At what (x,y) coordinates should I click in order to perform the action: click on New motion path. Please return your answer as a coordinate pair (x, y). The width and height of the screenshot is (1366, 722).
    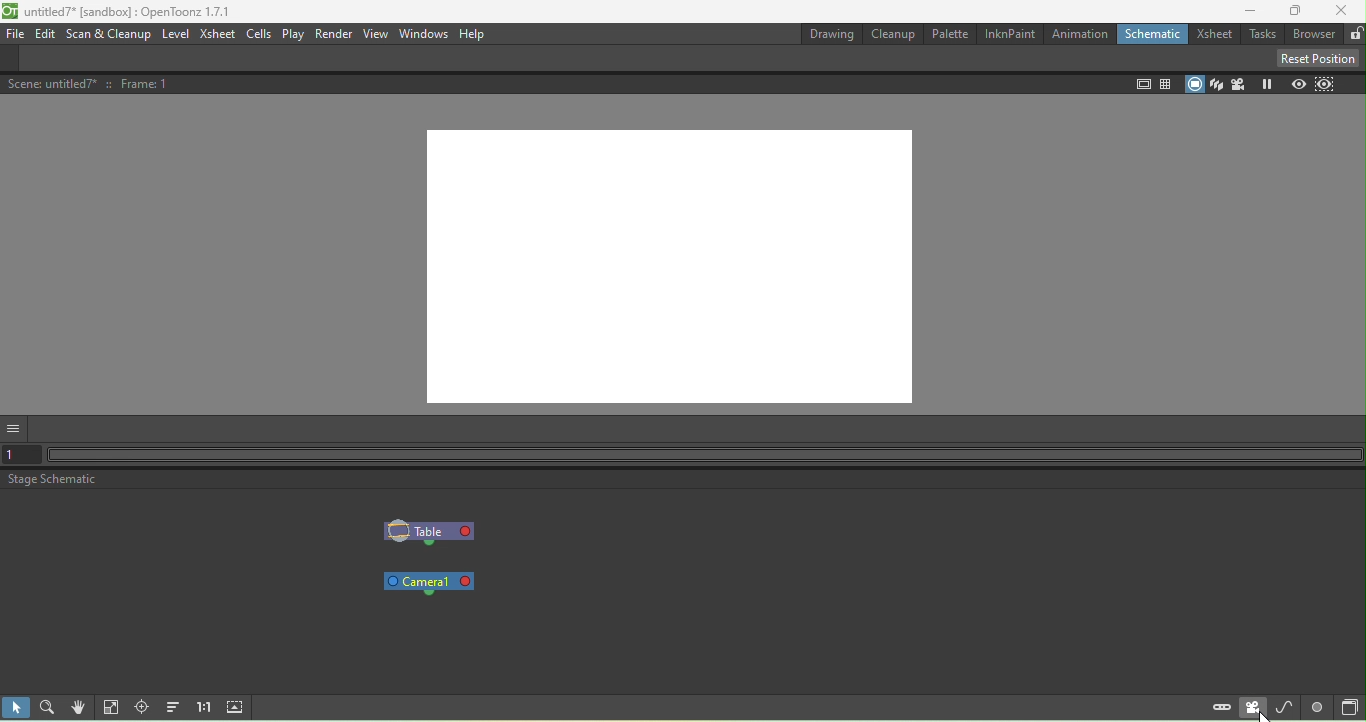
    Looking at the image, I should click on (1284, 707).